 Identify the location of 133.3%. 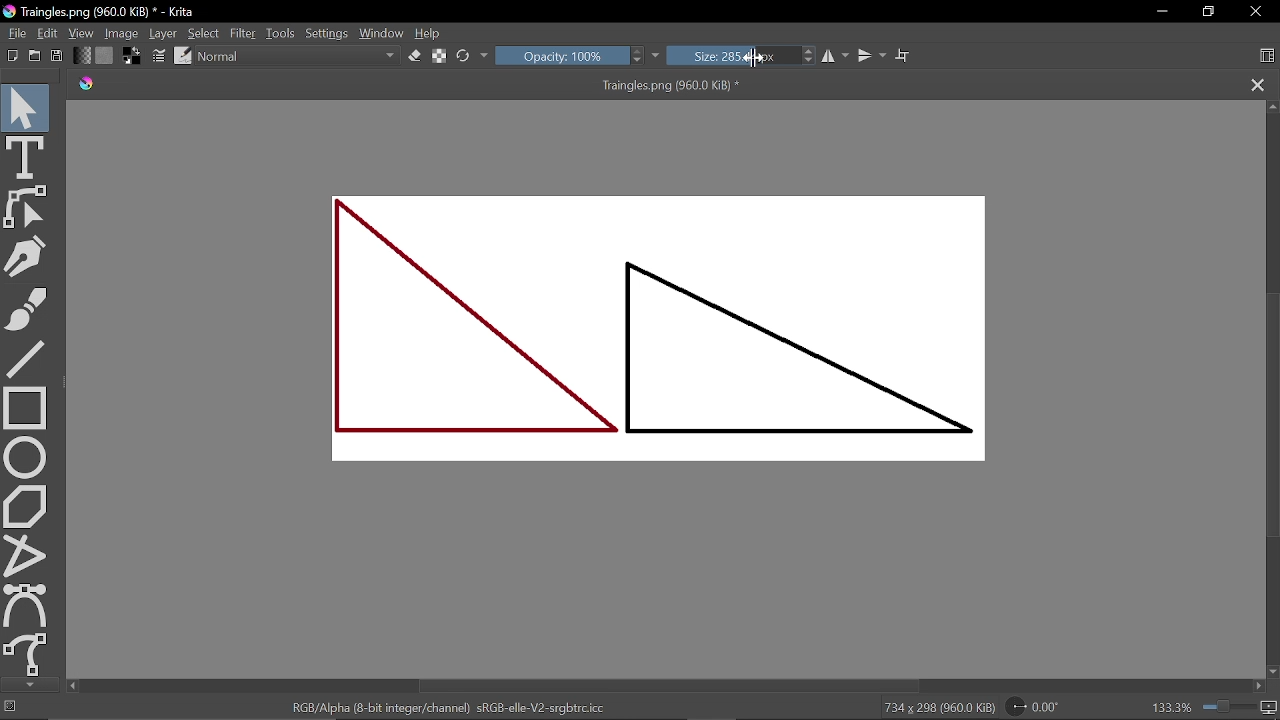
(1207, 705).